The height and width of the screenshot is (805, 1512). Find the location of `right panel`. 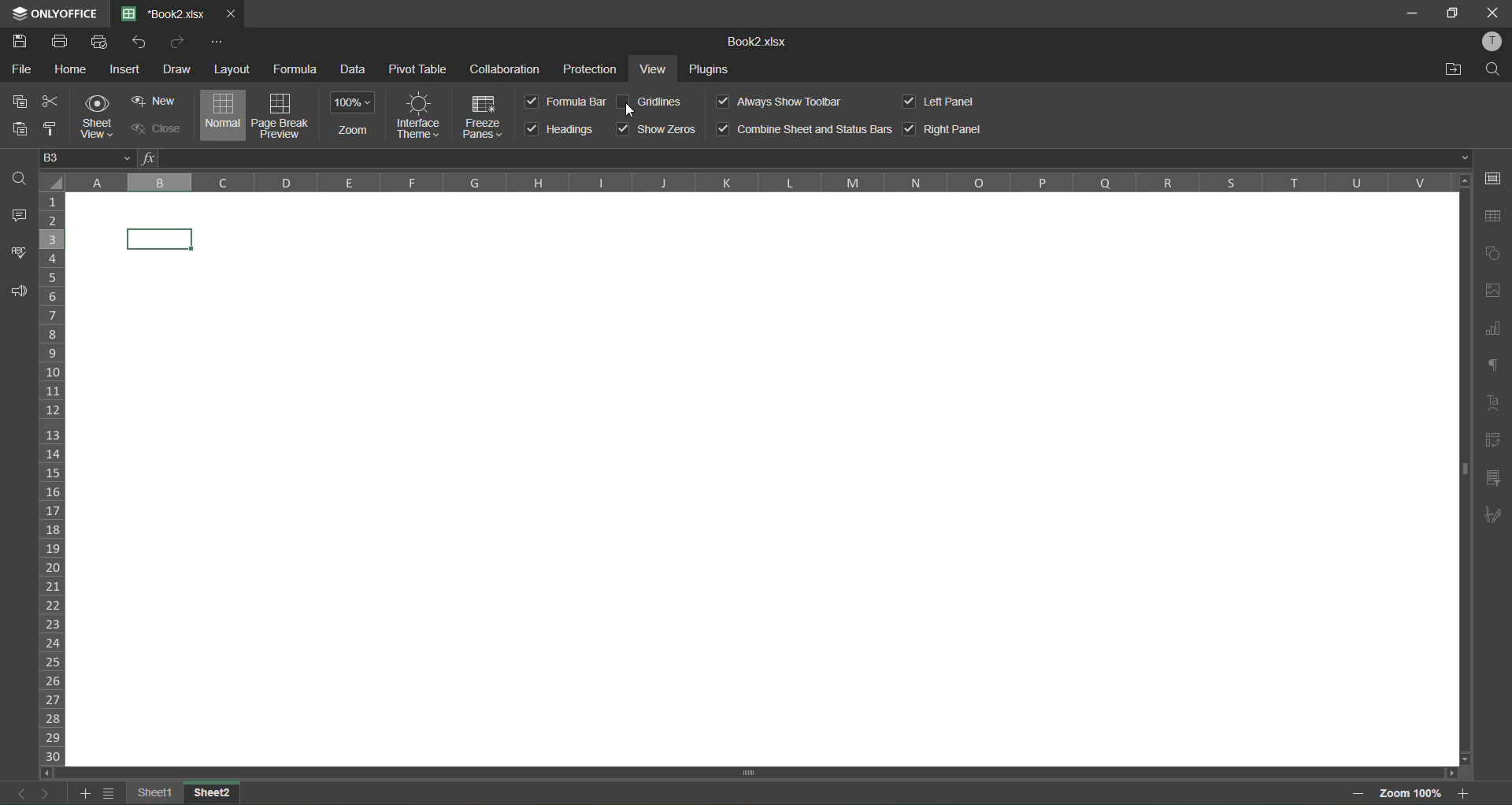

right panel is located at coordinates (944, 127).